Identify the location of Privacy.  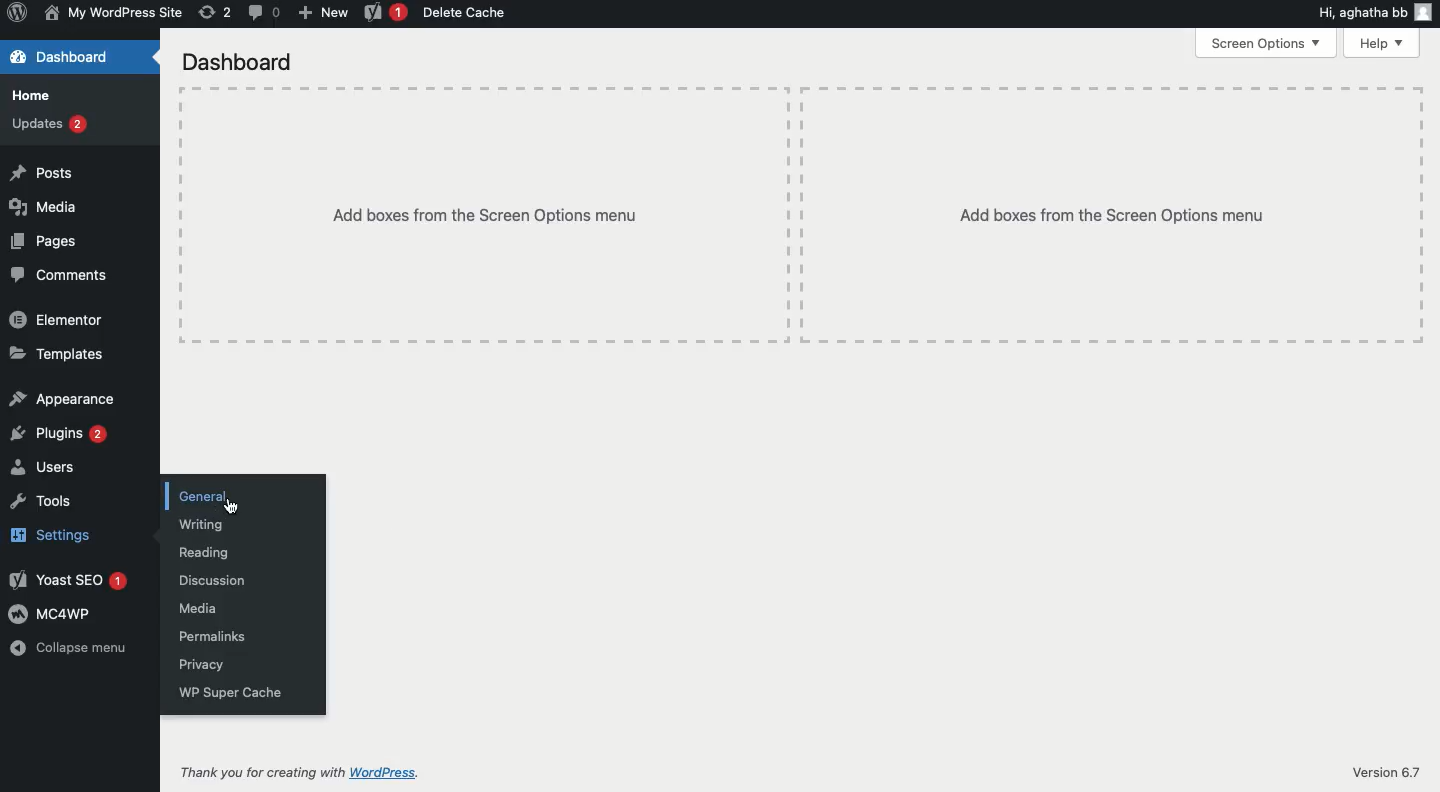
(202, 665).